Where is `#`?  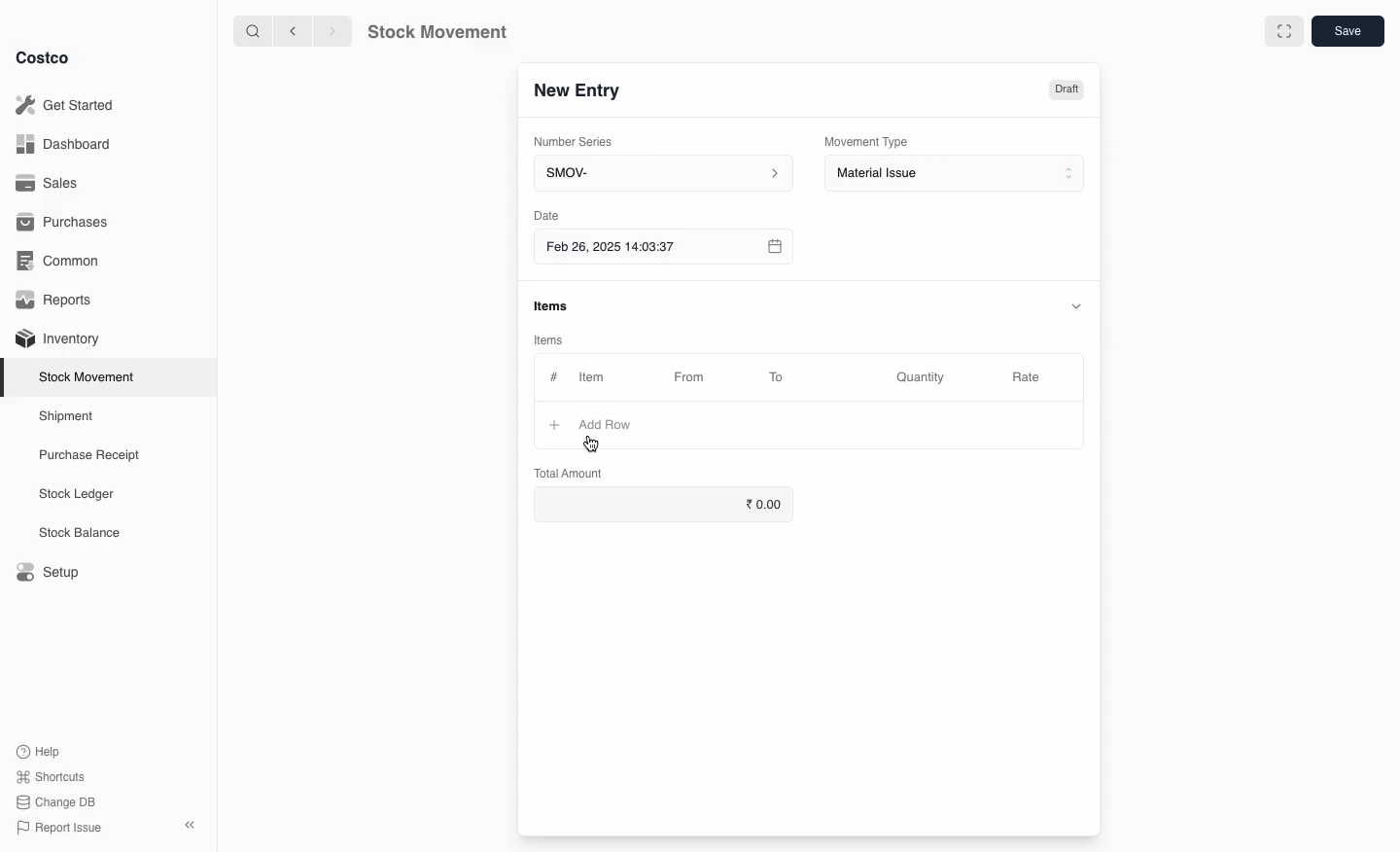
# is located at coordinates (554, 377).